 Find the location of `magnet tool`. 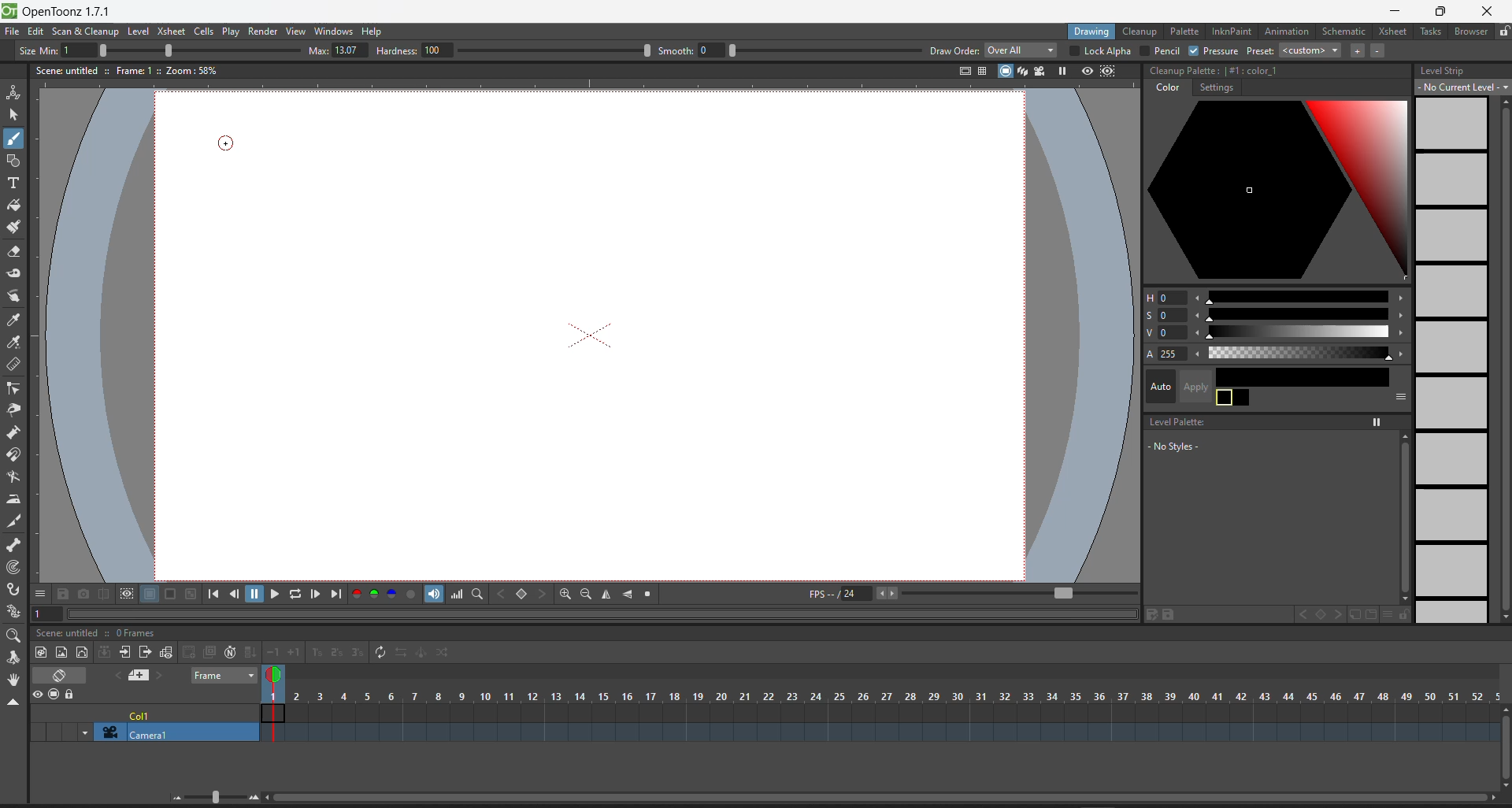

magnet tool is located at coordinates (17, 453).